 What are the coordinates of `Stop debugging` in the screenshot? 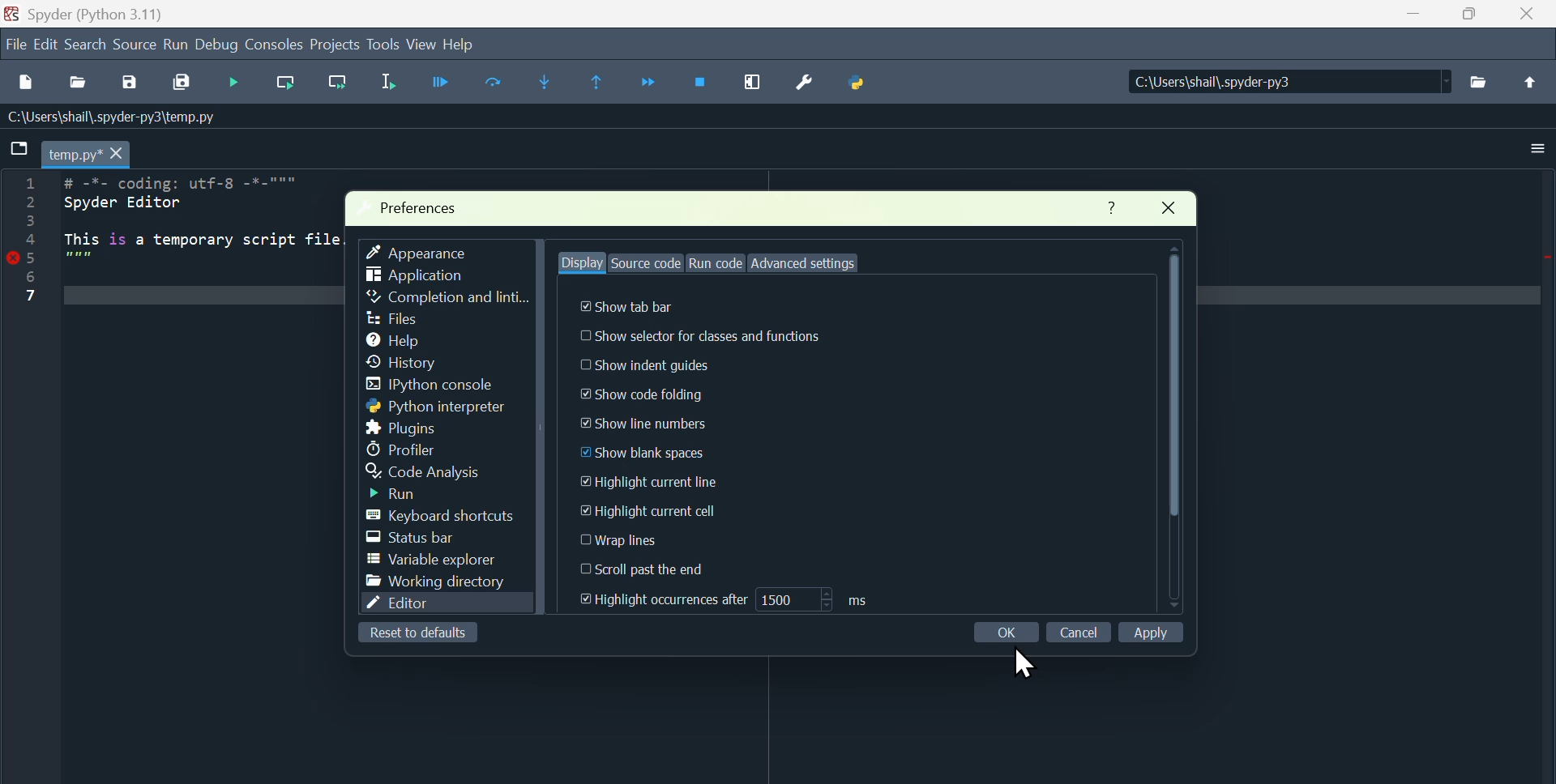 It's located at (701, 79).